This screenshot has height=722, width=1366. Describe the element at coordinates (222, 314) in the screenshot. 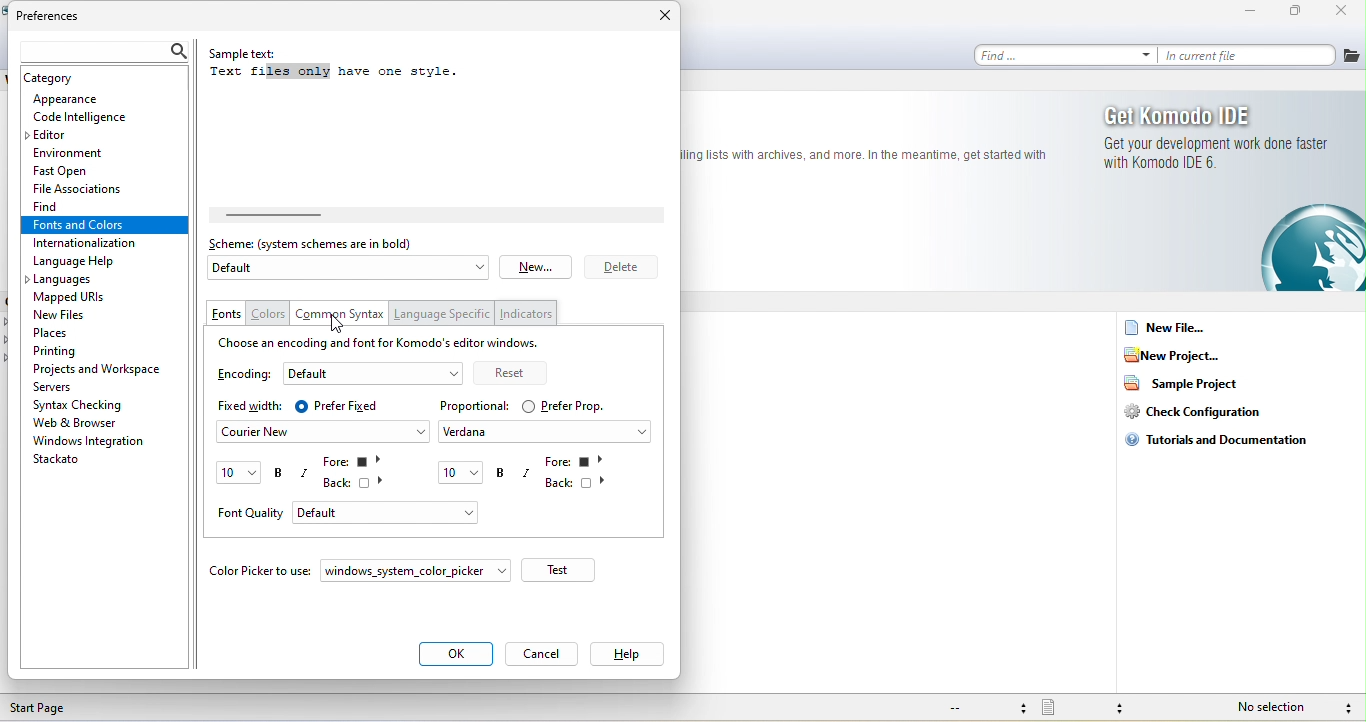

I see `fonts` at that location.